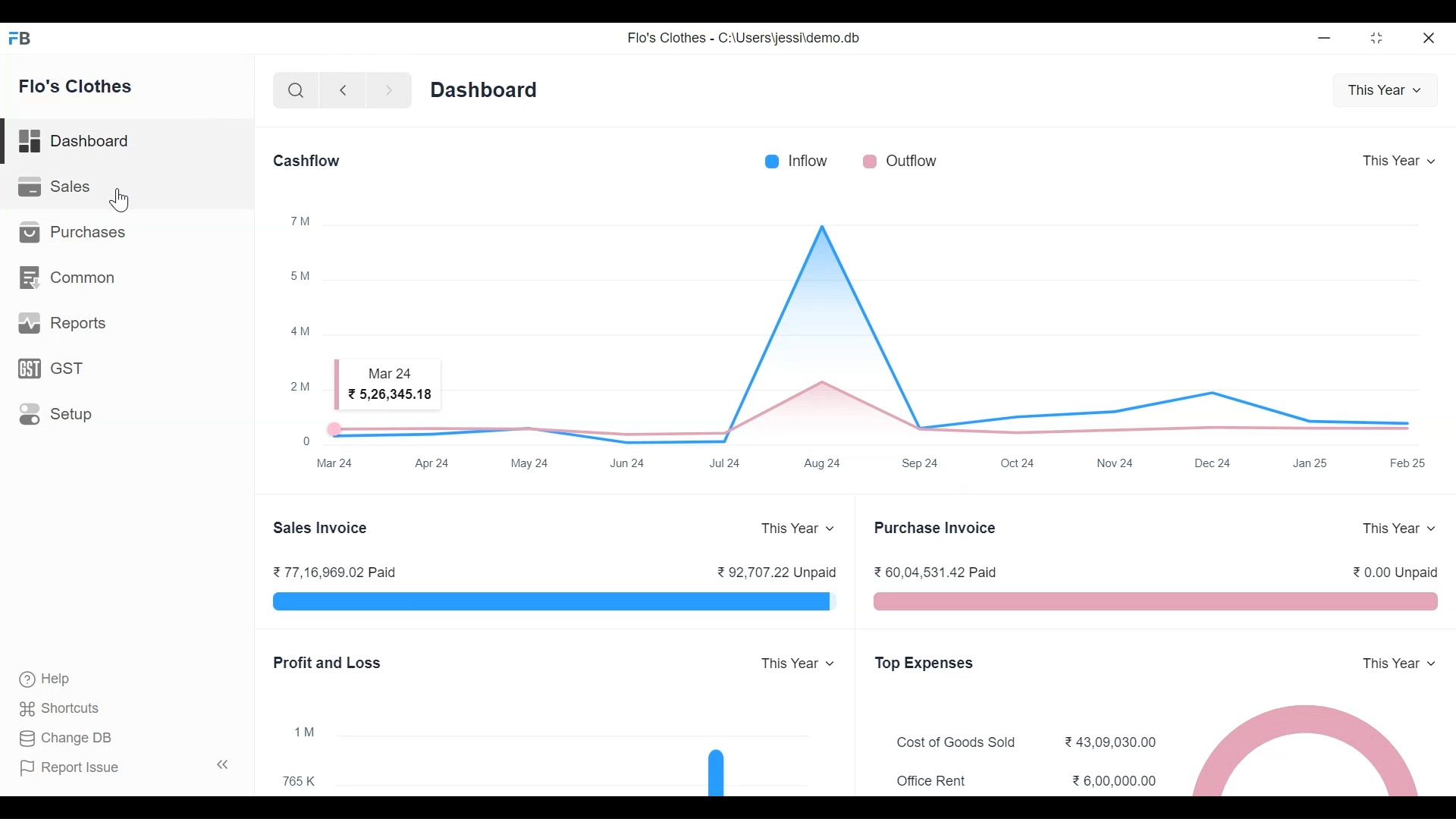  I want to click on Common, so click(70, 278).